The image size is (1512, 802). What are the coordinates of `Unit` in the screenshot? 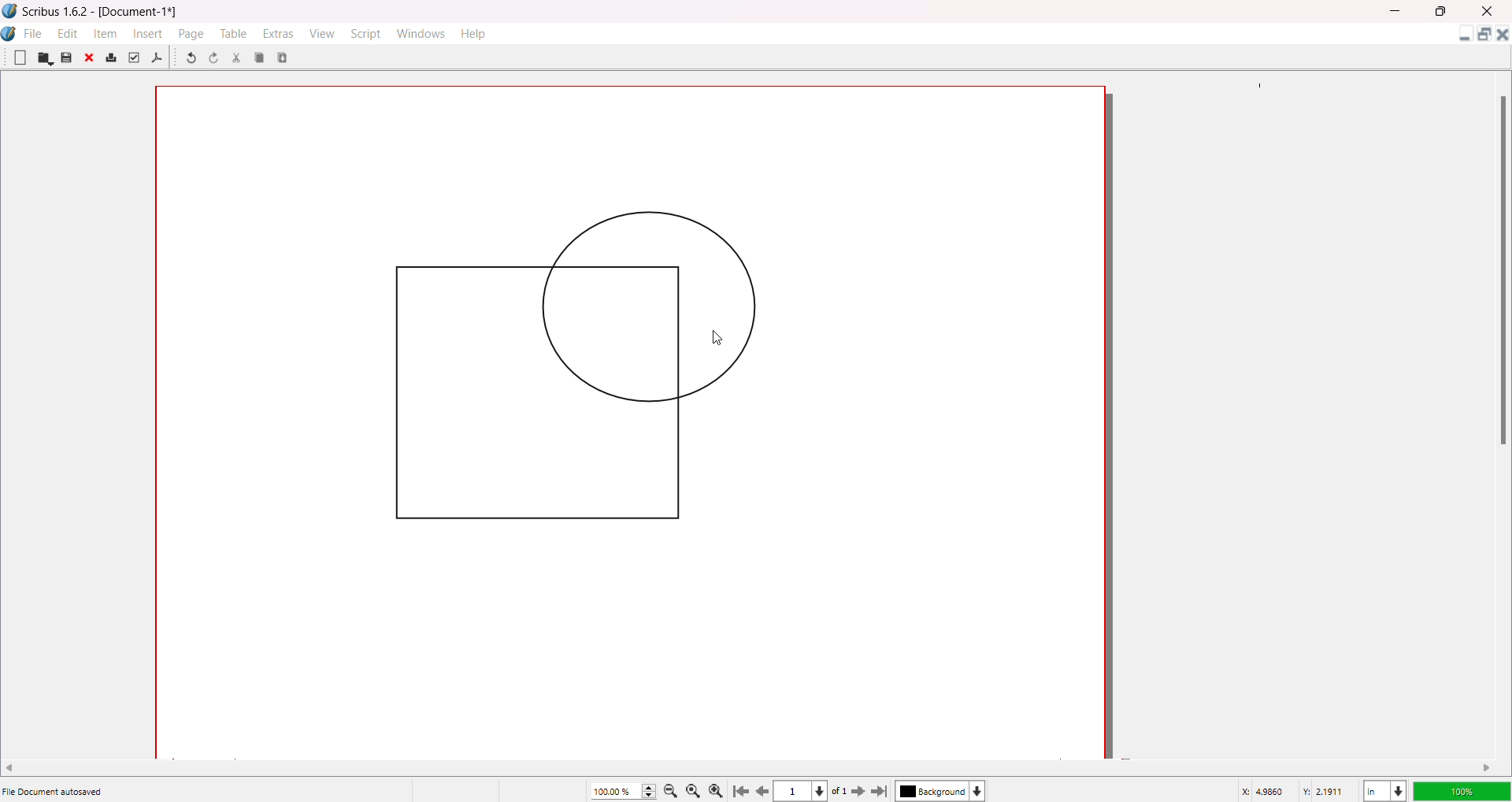 It's located at (1384, 789).